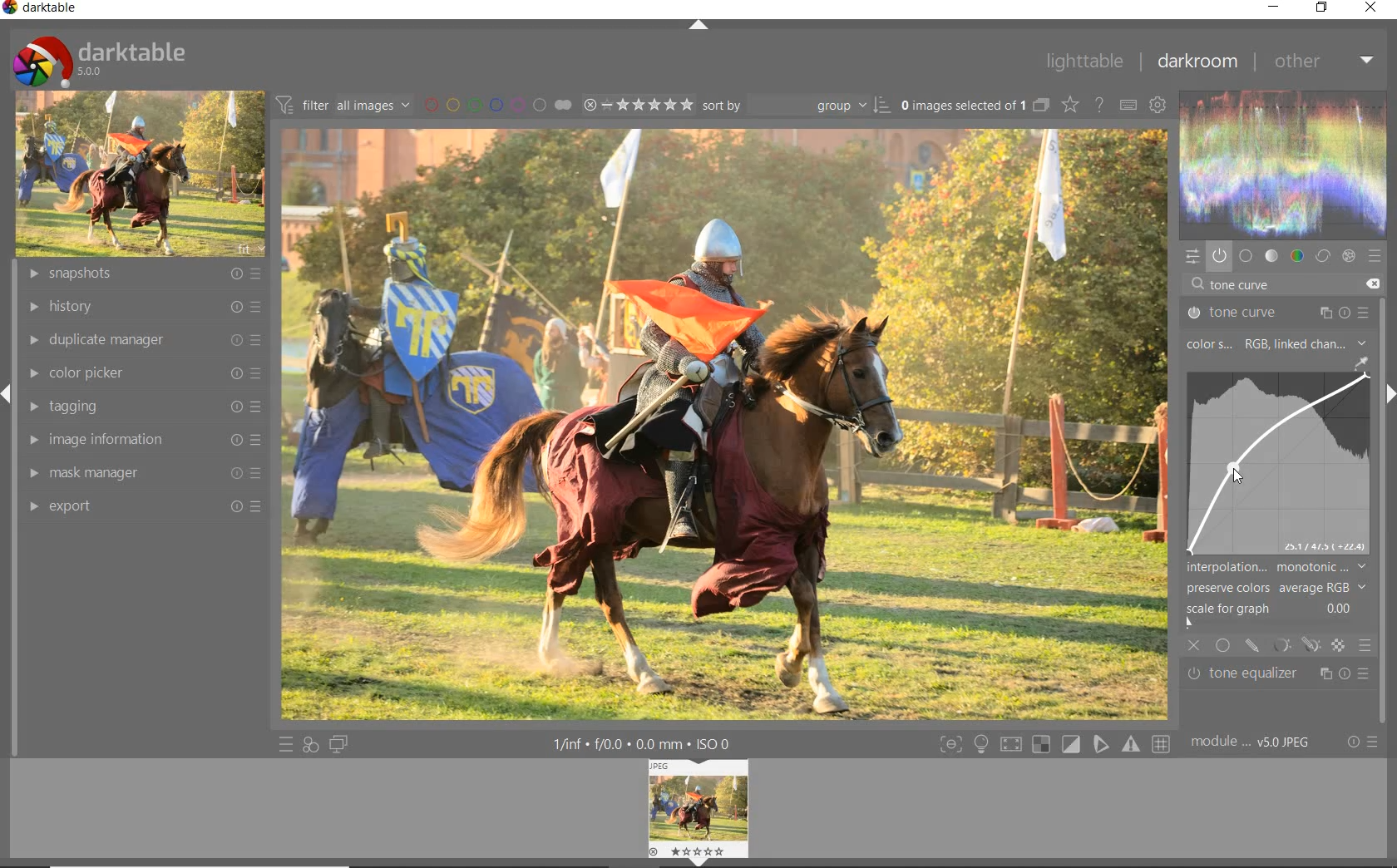 This screenshot has height=868, width=1397. Describe the element at coordinates (141, 440) in the screenshot. I see `image information` at that location.